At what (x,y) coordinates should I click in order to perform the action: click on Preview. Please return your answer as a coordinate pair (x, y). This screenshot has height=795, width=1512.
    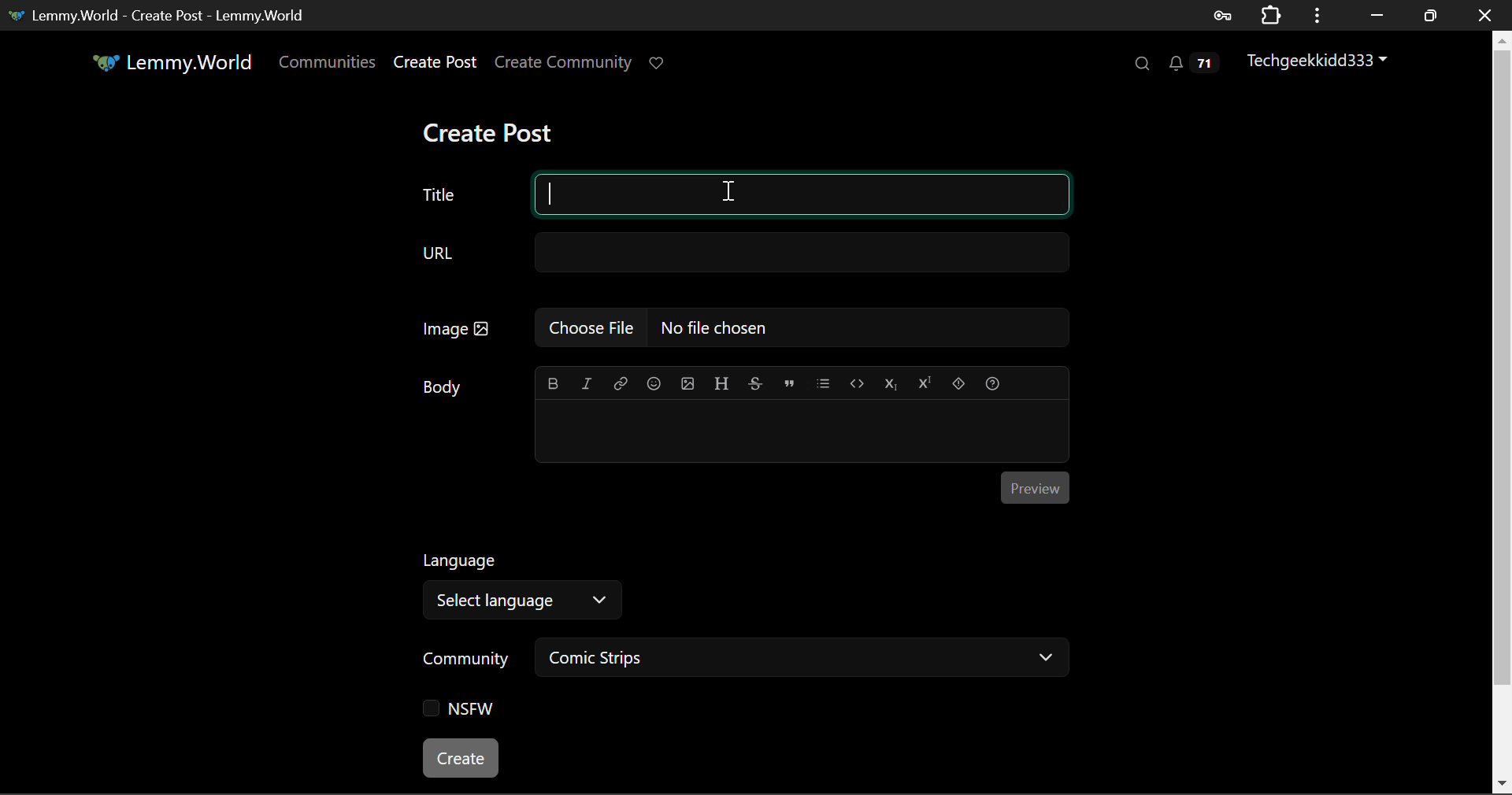
    Looking at the image, I should click on (1036, 485).